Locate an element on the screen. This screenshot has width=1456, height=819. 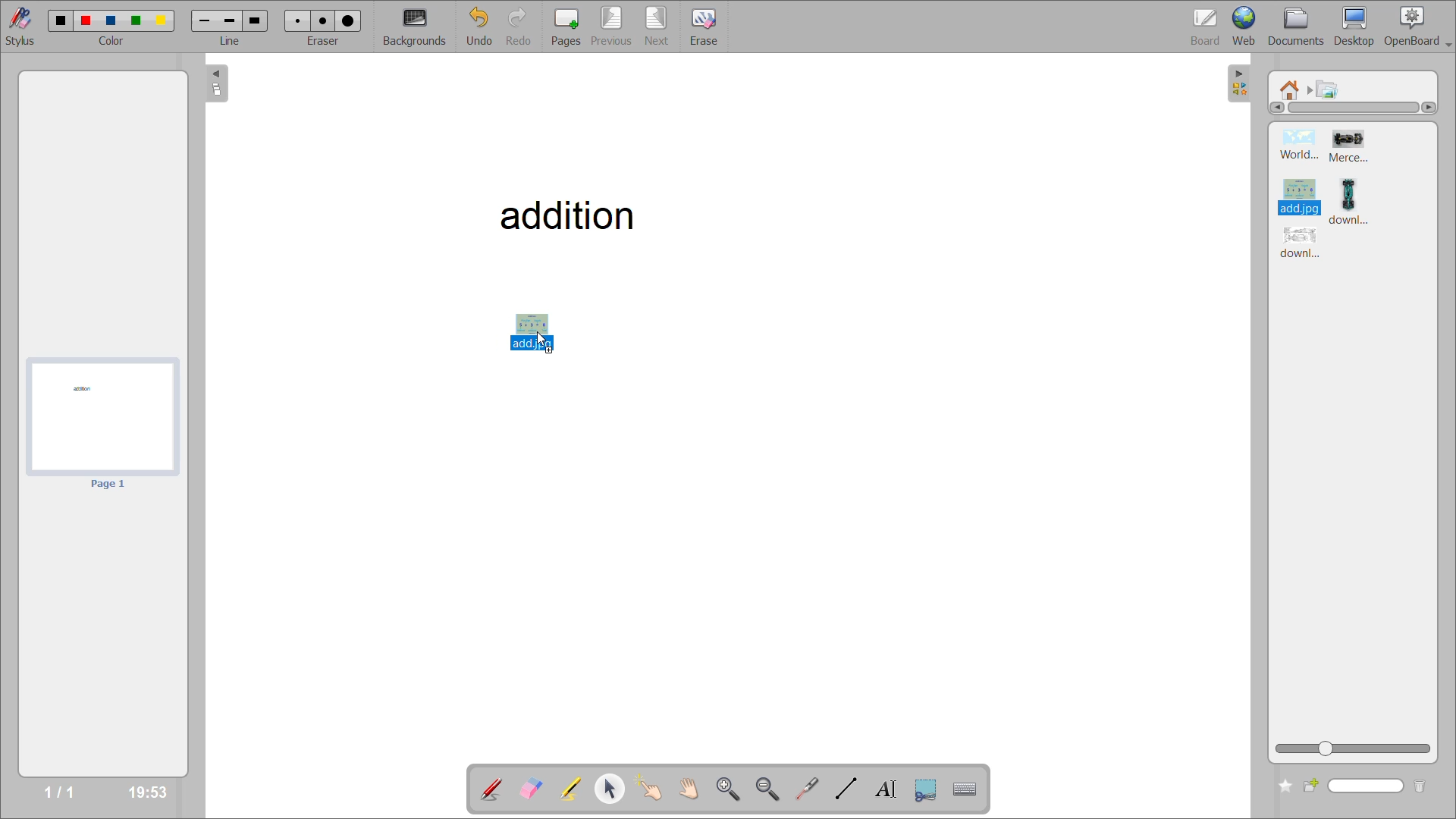
web is located at coordinates (1247, 24).